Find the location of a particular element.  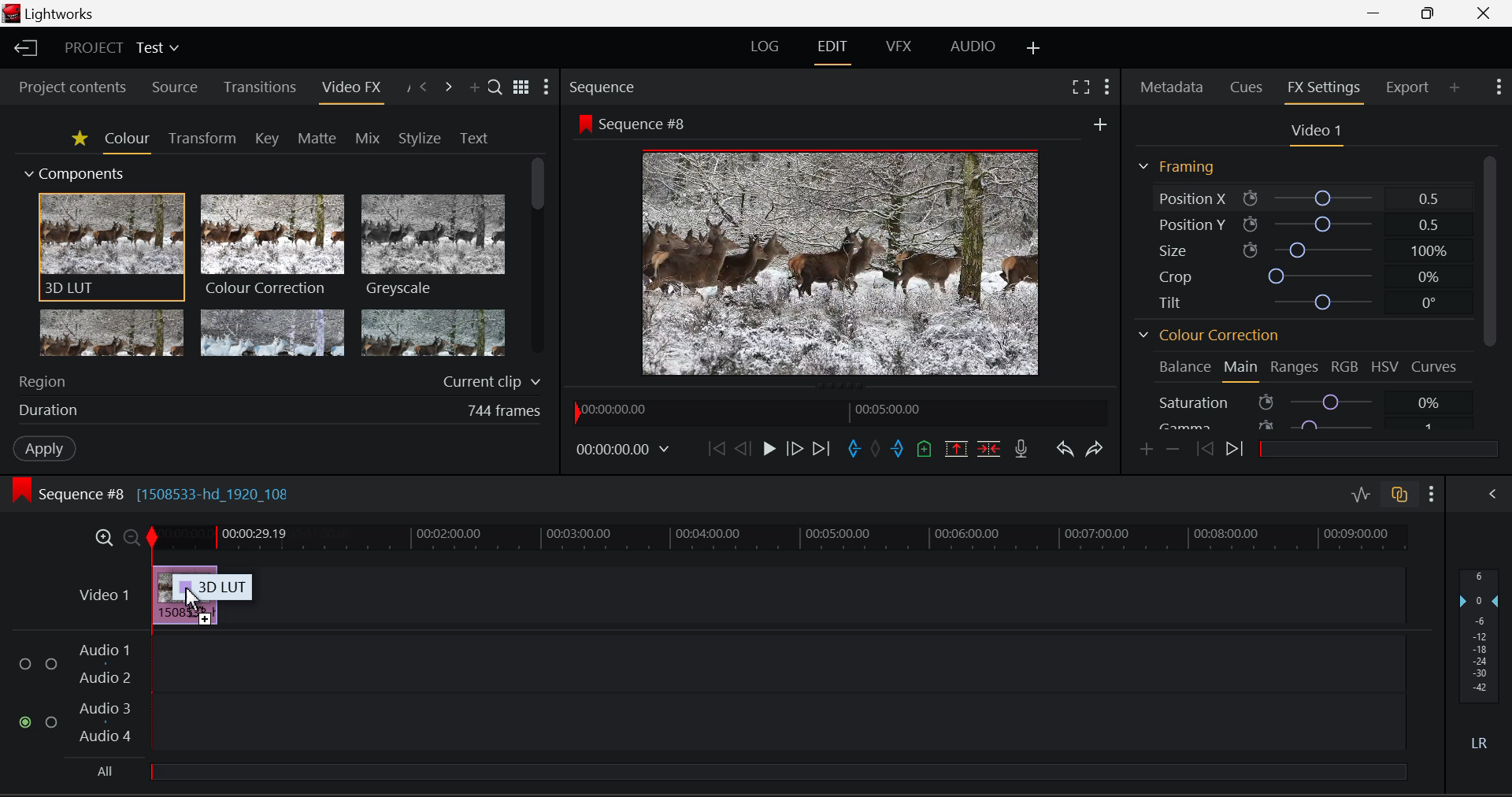

Key is located at coordinates (266, 139).